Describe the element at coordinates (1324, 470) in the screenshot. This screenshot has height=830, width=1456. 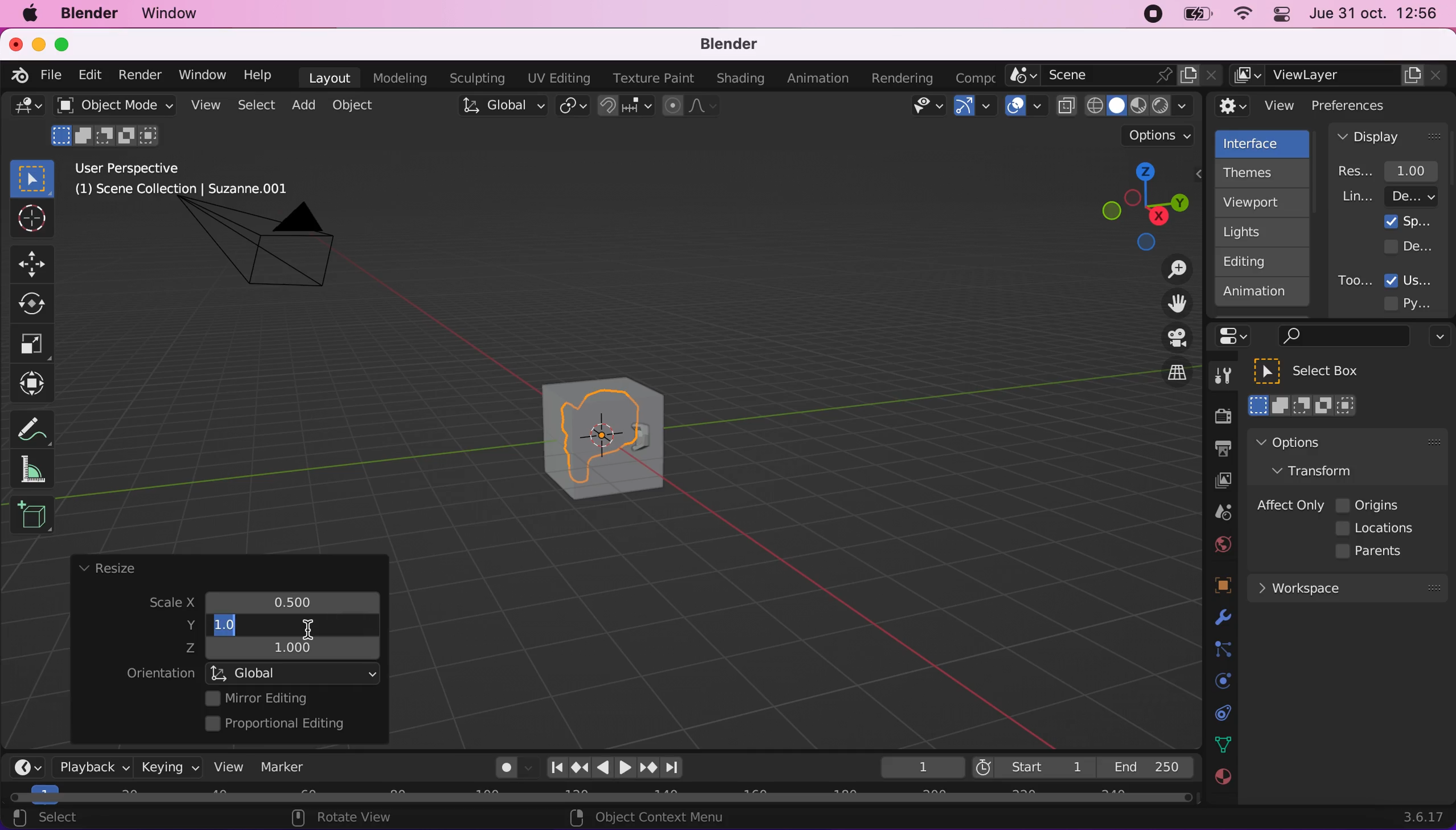
I see `transform` at that location.